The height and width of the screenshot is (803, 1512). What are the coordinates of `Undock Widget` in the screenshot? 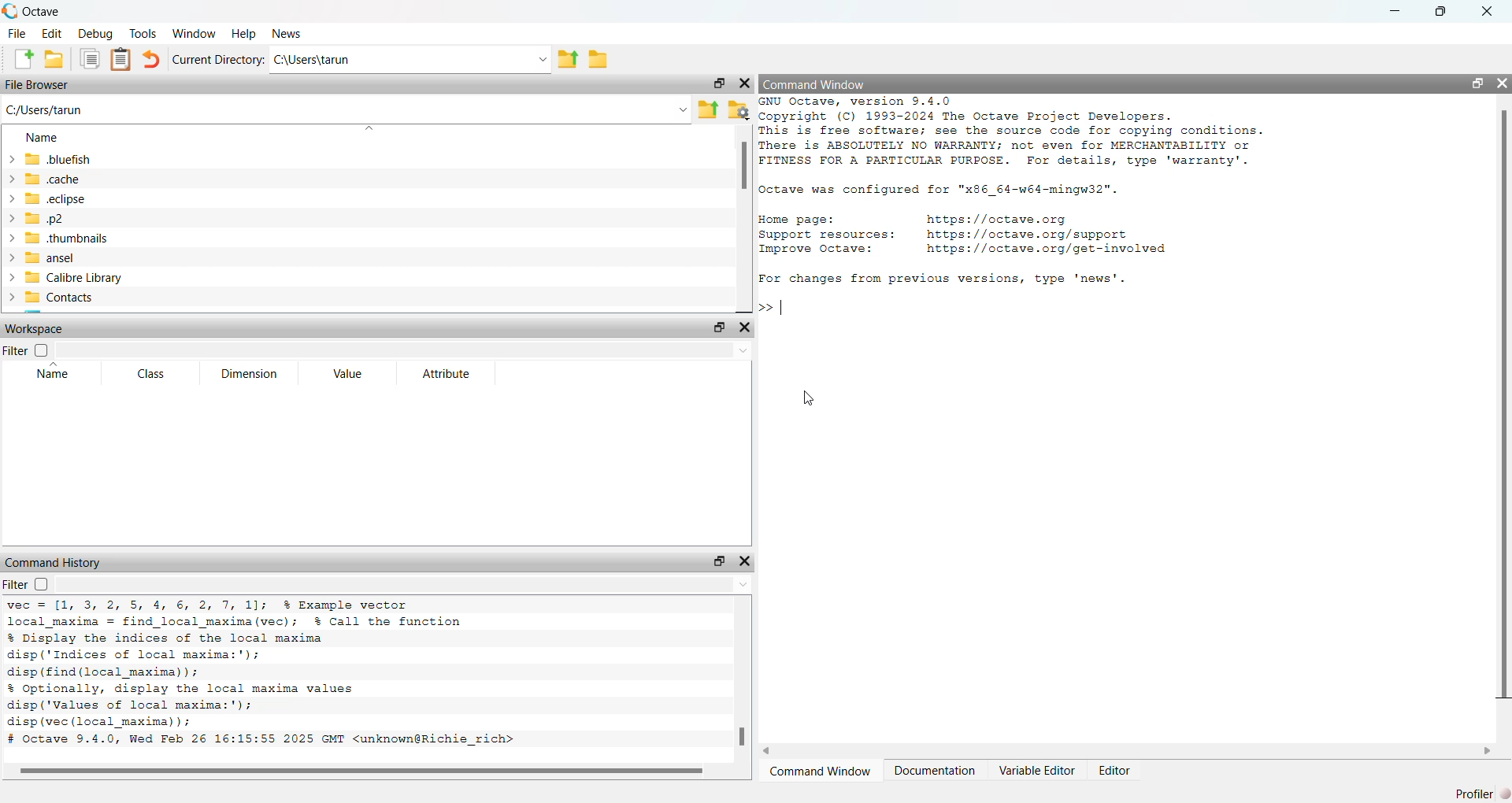 It's located at (718, 83).